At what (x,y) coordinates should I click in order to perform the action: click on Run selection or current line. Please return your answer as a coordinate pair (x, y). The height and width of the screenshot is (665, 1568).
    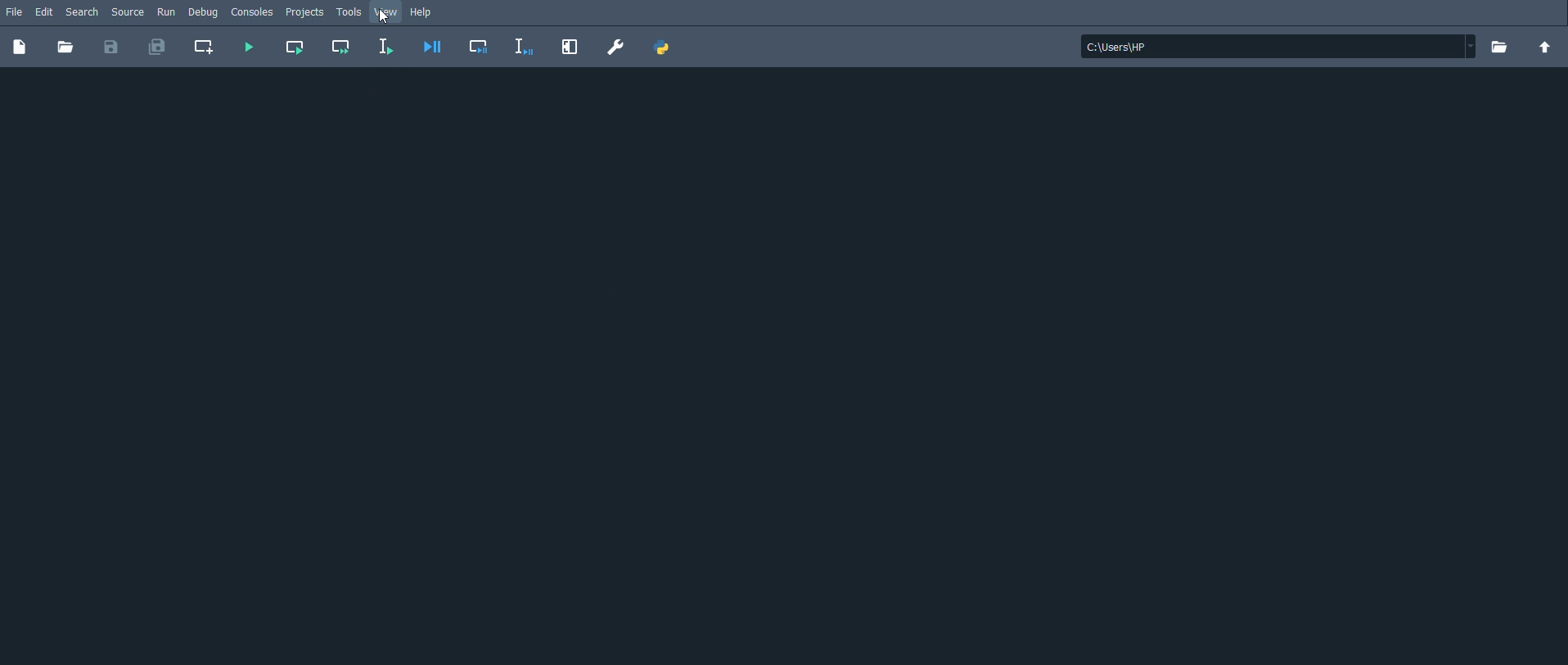
    Looking at the image, I should click on (385, 47).